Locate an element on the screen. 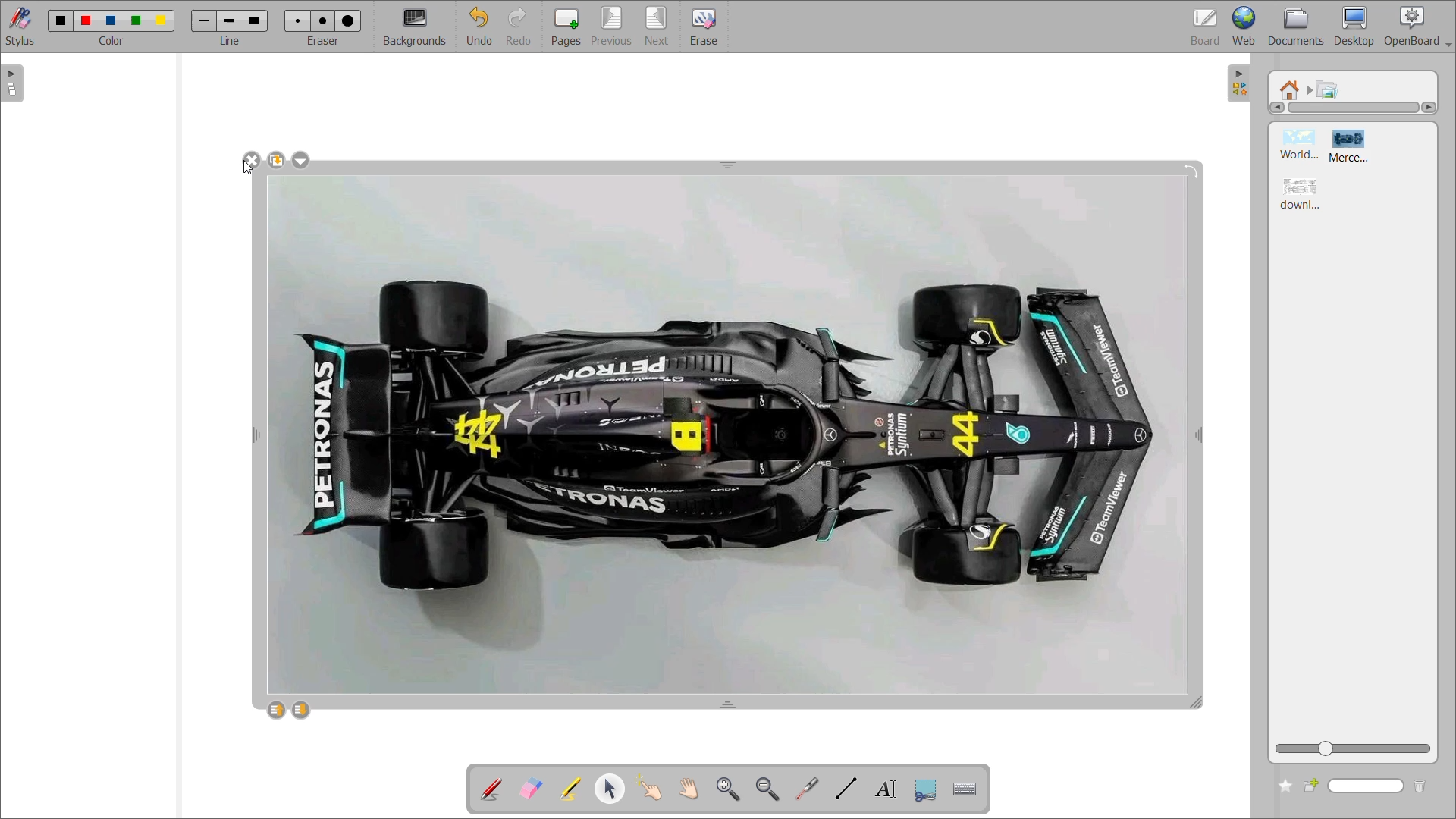 Image resolution: width=1456 pixels, height=819 pixels. layer down is located at coordinates (302, 711).